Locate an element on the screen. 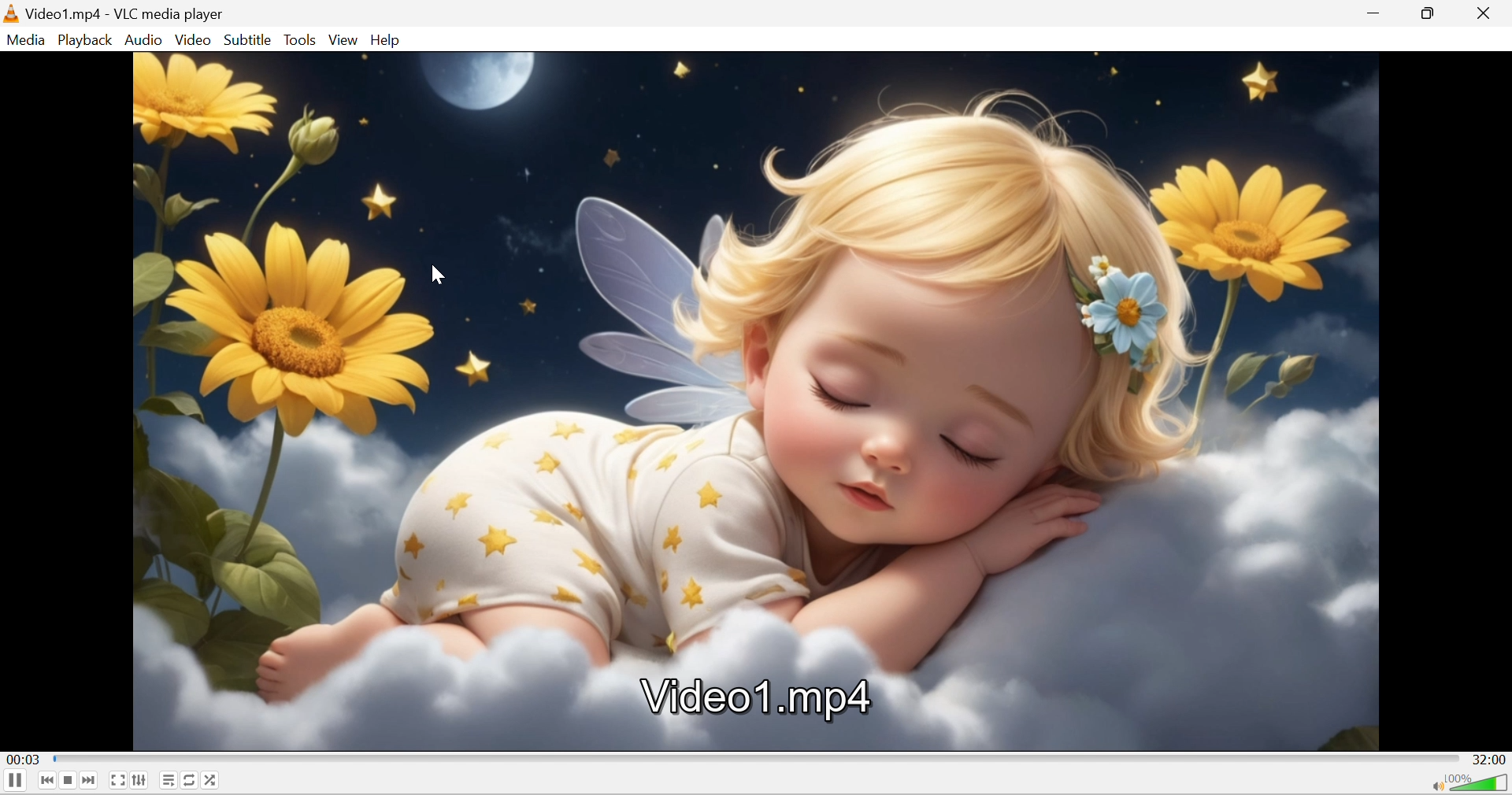 Image resolution: width=1512 pixels, height=795 pixels. cursor is located at coordinates (439, 277).